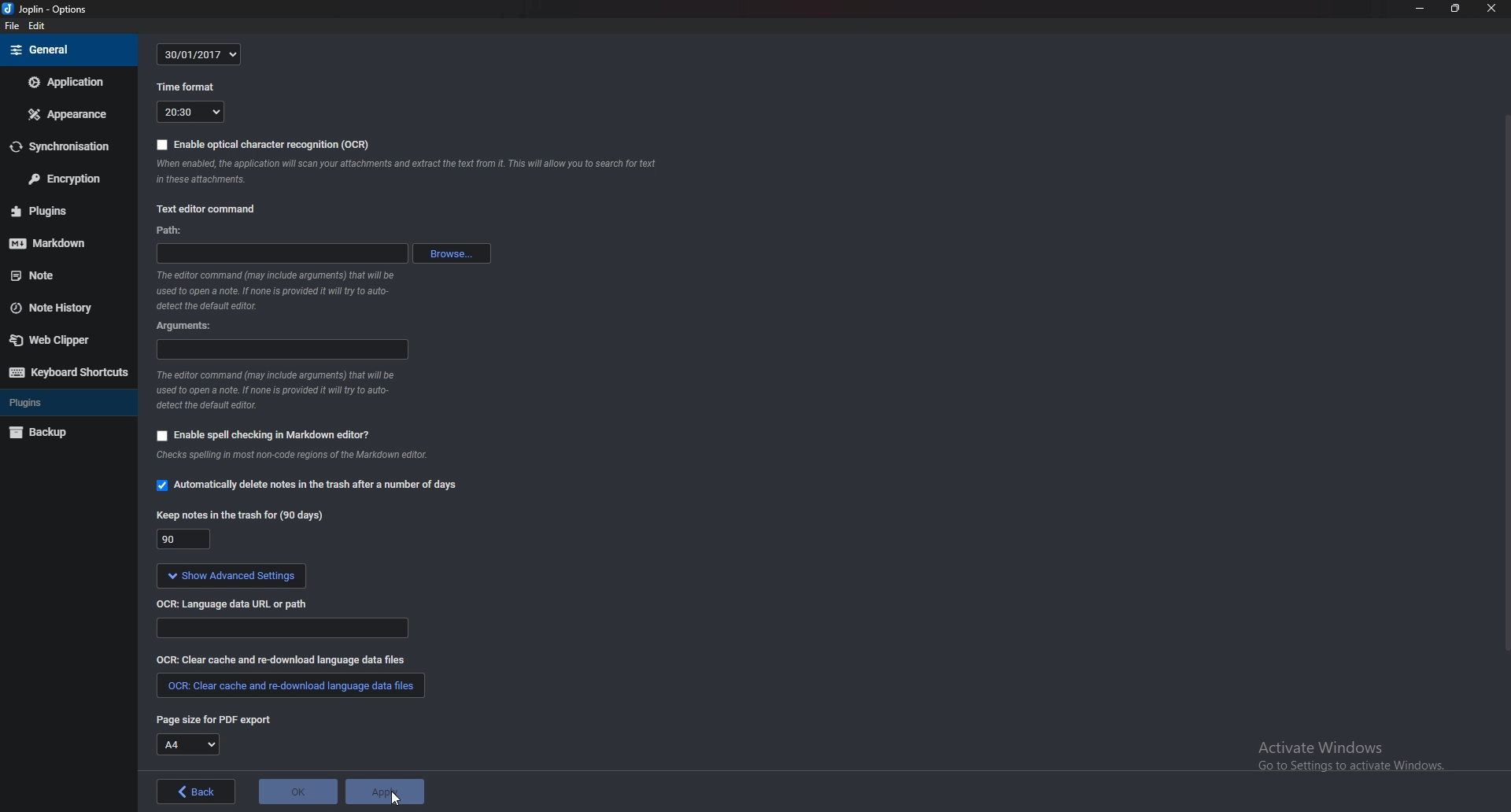 This screenshot has height=812, width=1511. Describe the element at coordinates (60, 404) in the screenshot. I see `Plugins` at that location.